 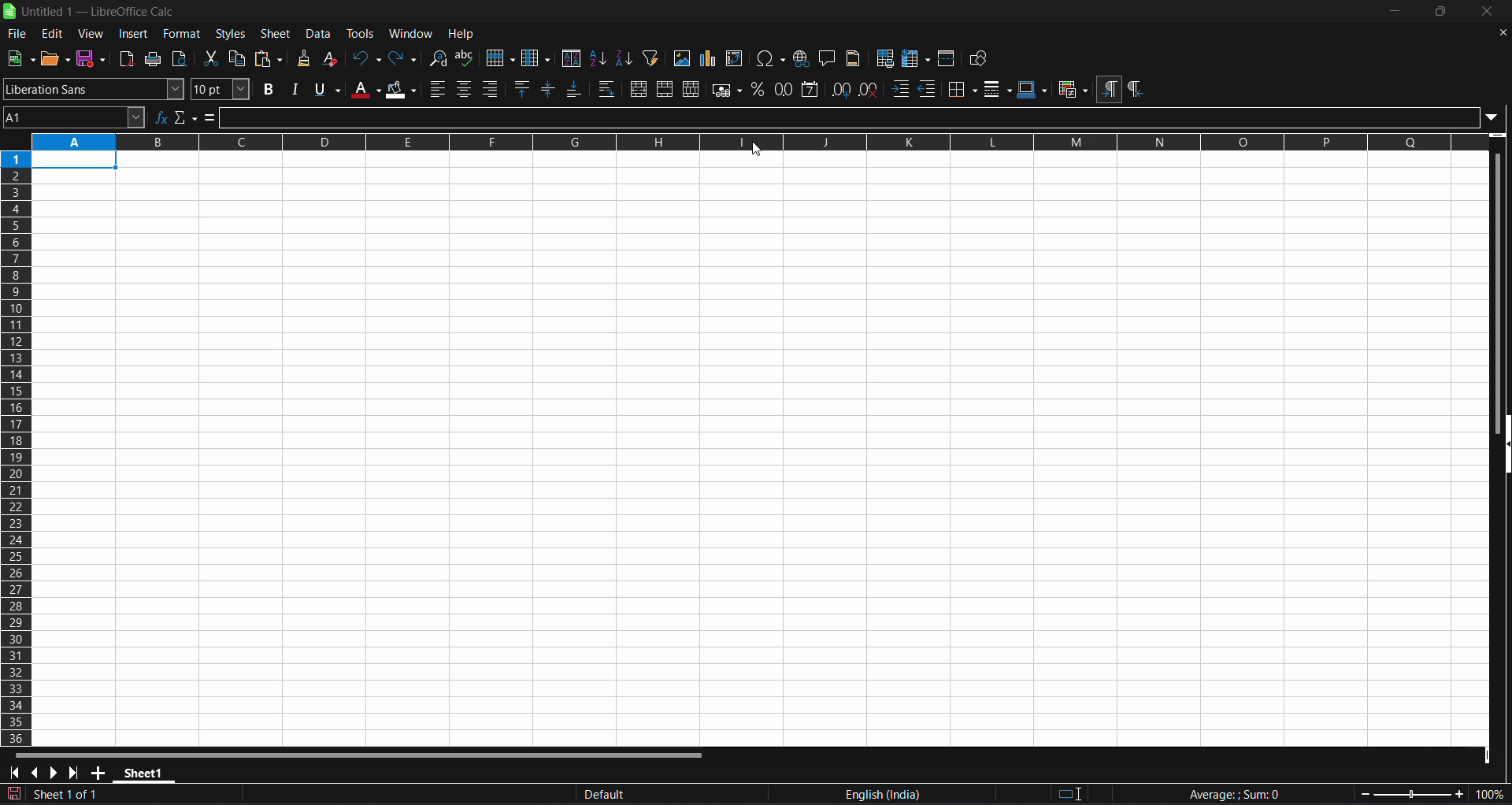 I want to click on remove decimal place, so click(x=868, y=91).